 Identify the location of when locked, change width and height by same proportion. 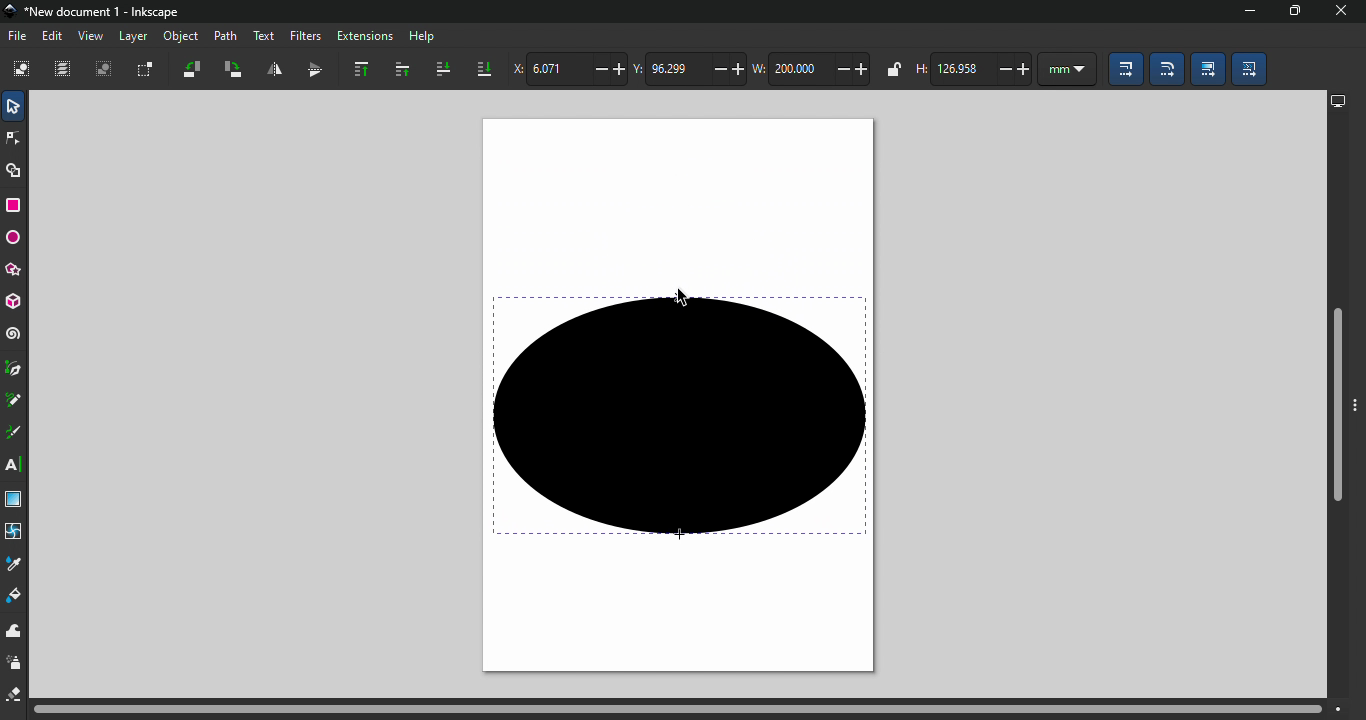
(891, 69).